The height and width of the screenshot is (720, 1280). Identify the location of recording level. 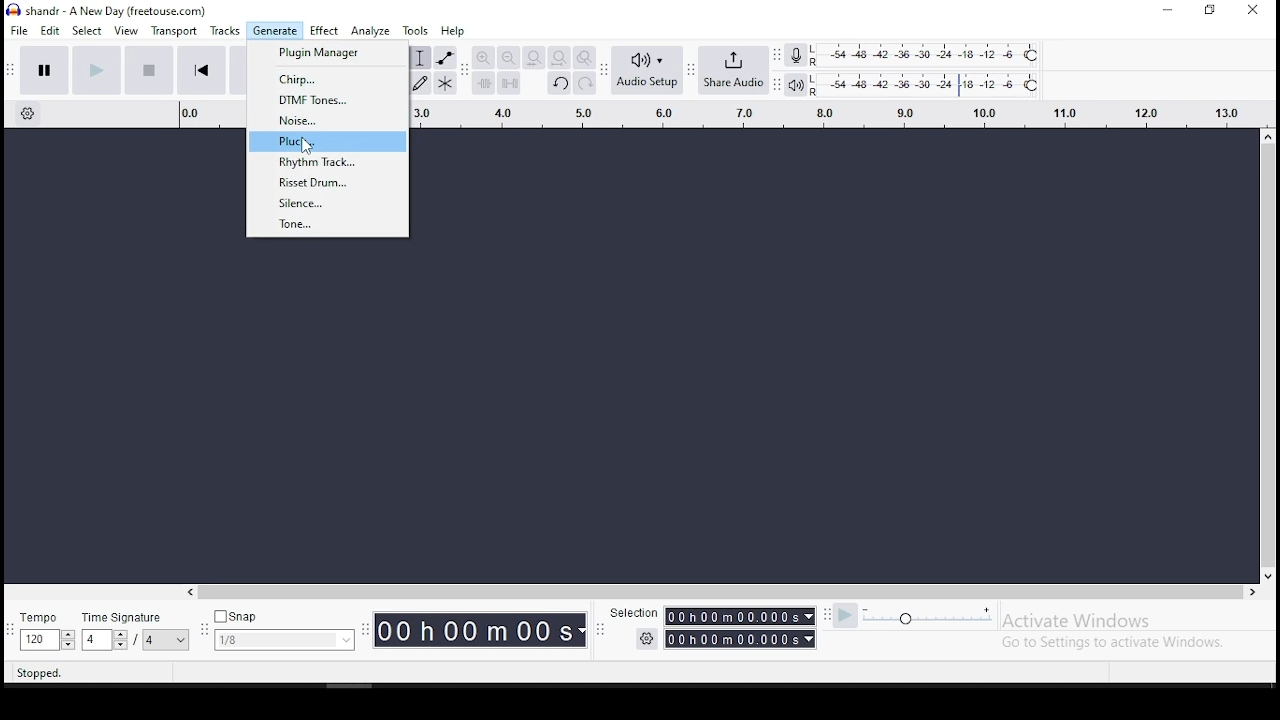
(929, 53).